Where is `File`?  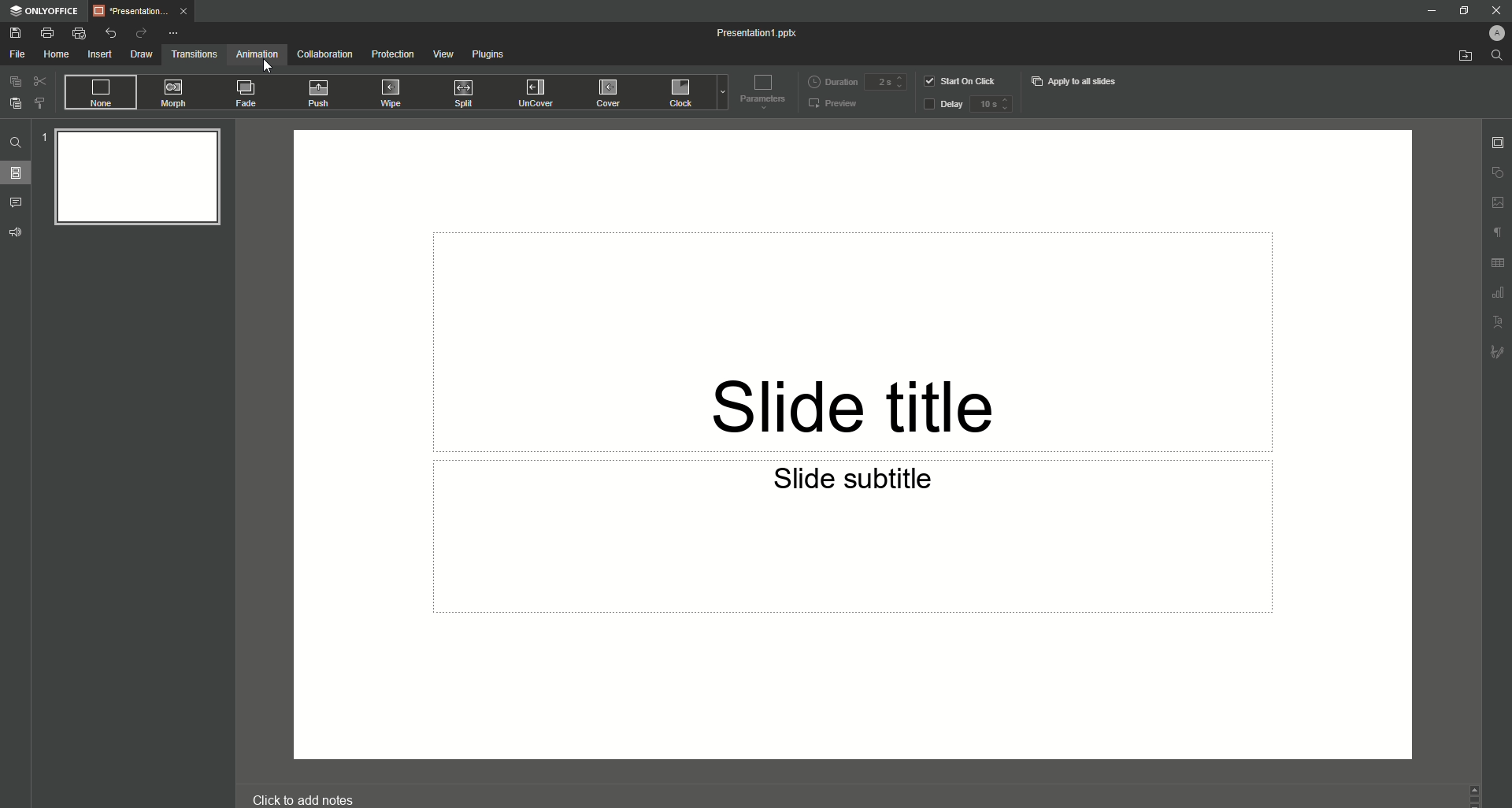 File is located at coordinates (15, 54).